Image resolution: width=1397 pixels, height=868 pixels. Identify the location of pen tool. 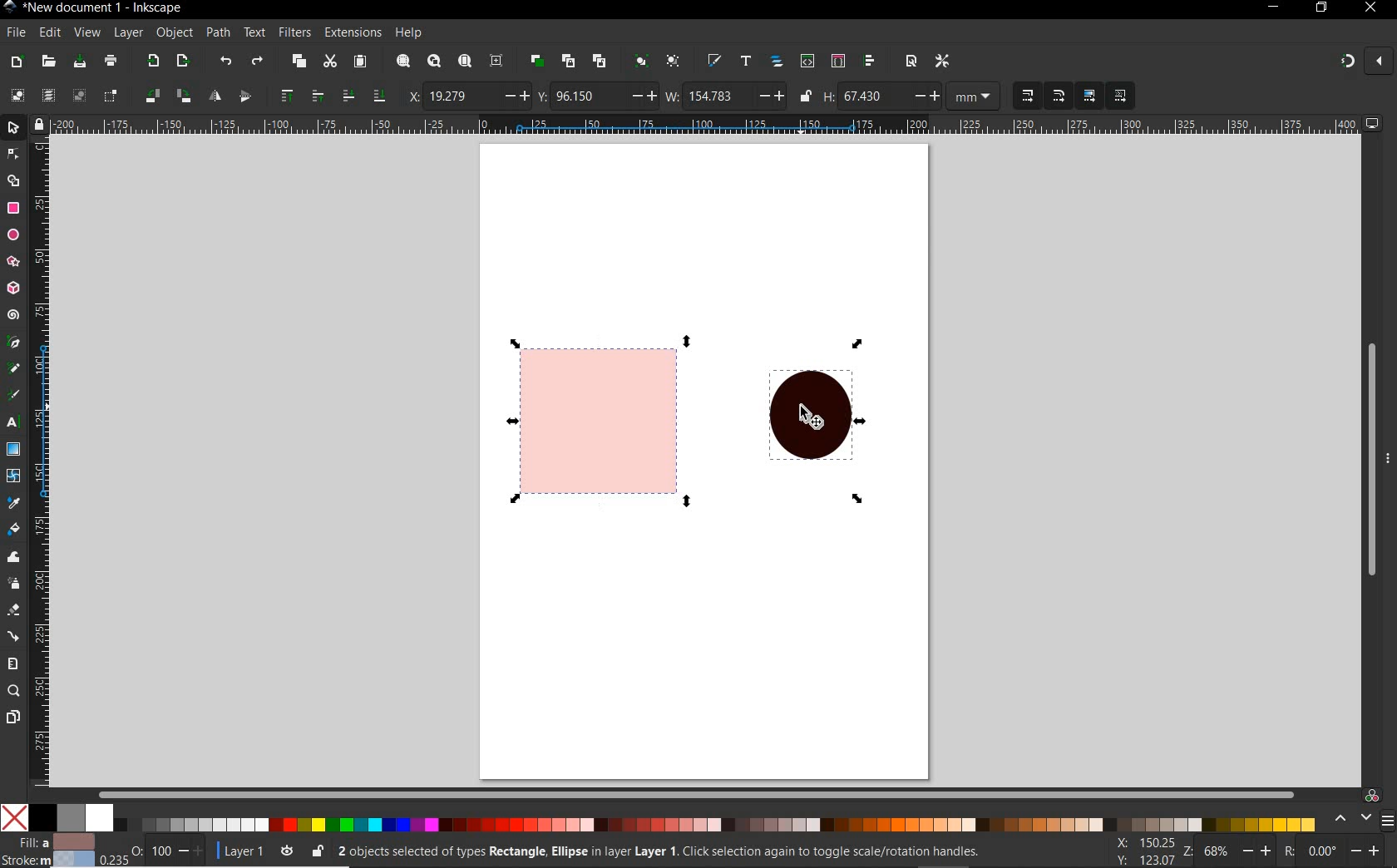
(12, 341).